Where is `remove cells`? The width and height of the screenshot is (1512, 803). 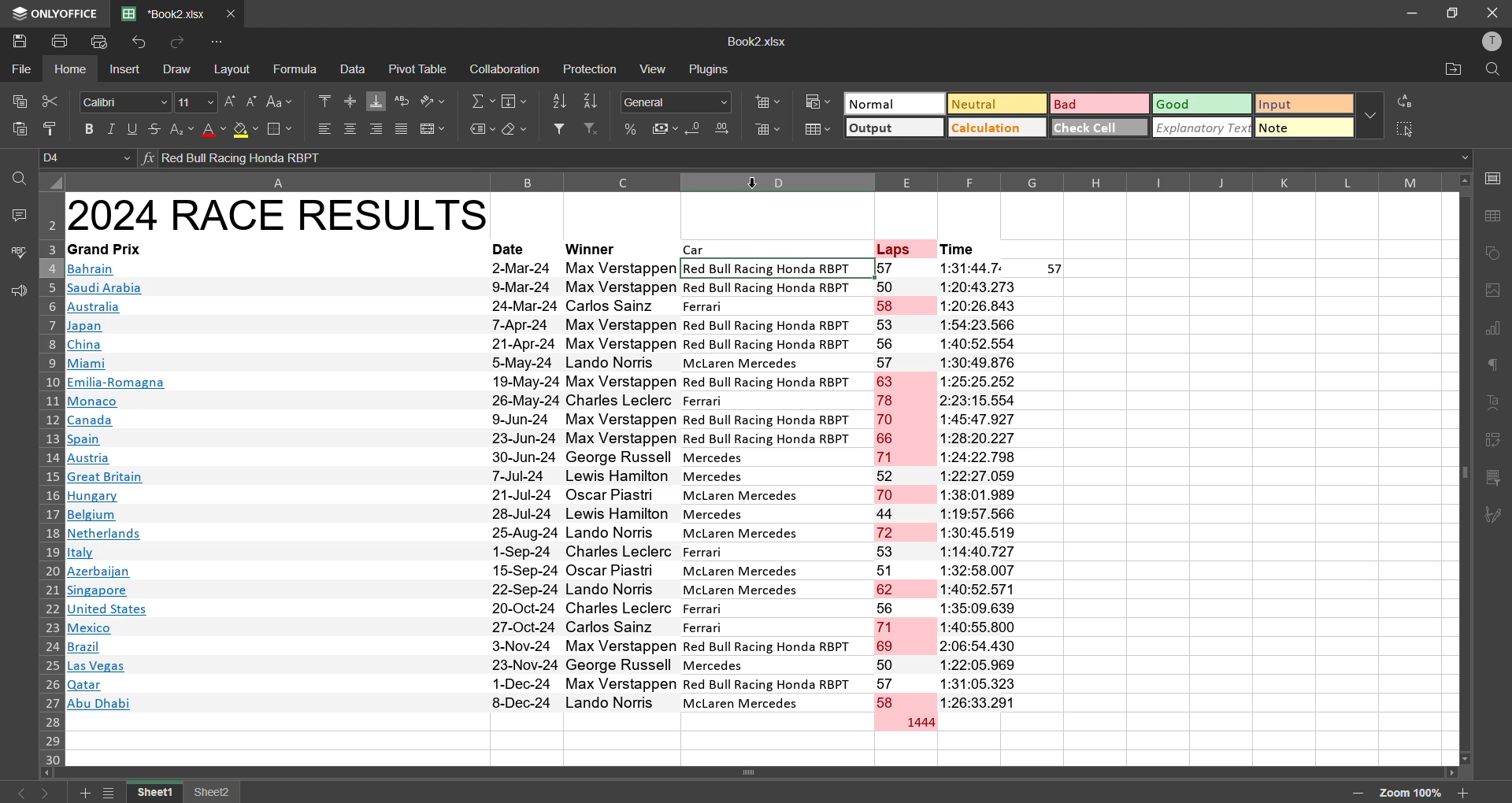
remove cells is located at coordinates (769, 132).